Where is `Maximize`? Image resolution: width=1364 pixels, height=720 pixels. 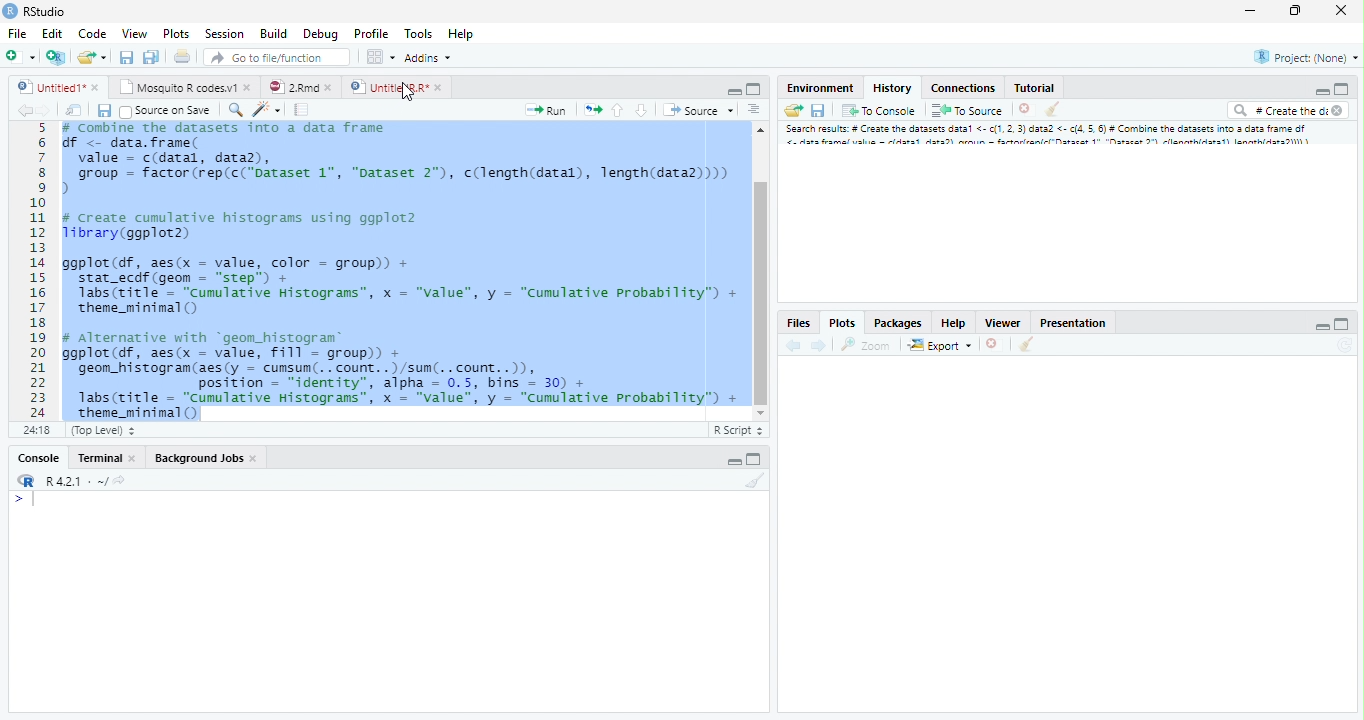
Maximize is located at coordinates (1344, 323).